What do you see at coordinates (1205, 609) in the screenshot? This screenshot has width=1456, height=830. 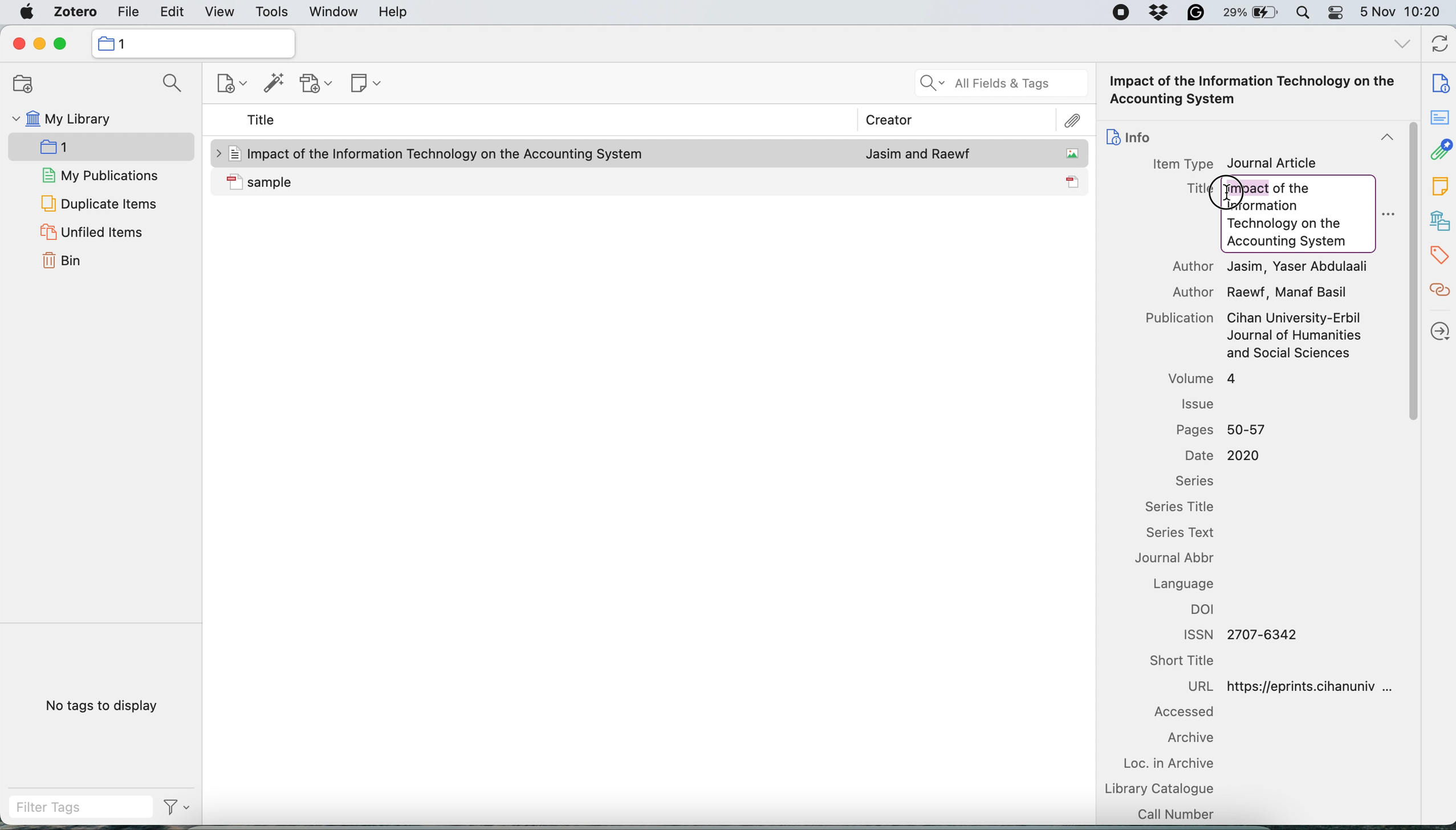 I see `doi` at bounding box center [1205, 609].